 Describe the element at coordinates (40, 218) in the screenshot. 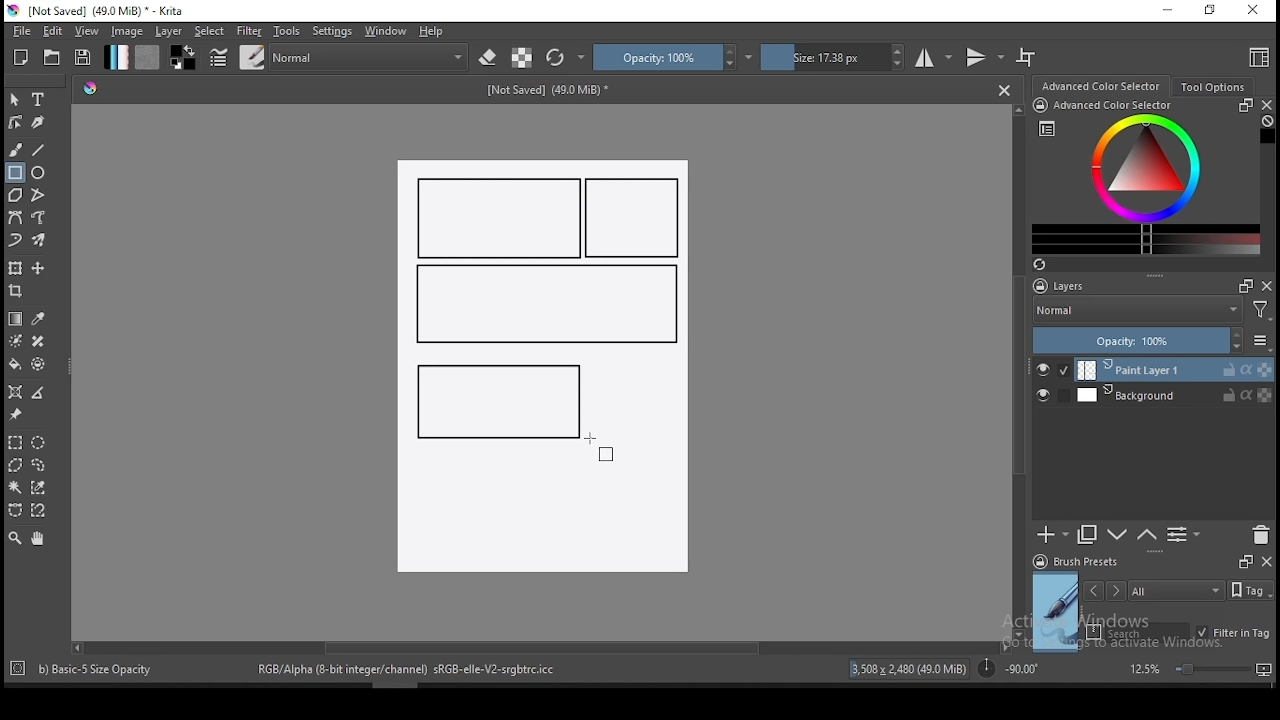

I see `freehand path tool` at that location.